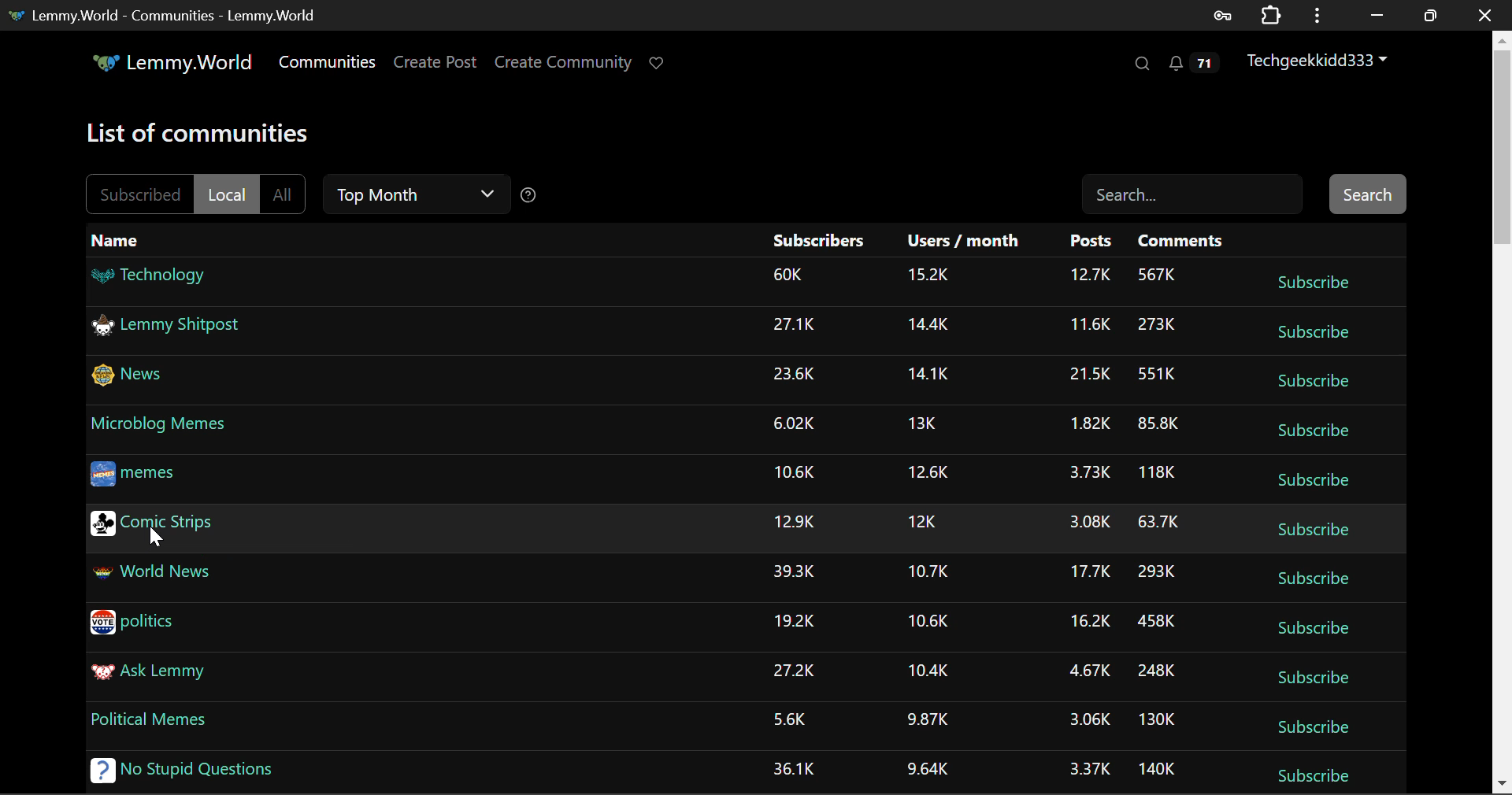  Describe the element at coordinates (1090, 277) in the screenshot. I see `12.7K` at that location.